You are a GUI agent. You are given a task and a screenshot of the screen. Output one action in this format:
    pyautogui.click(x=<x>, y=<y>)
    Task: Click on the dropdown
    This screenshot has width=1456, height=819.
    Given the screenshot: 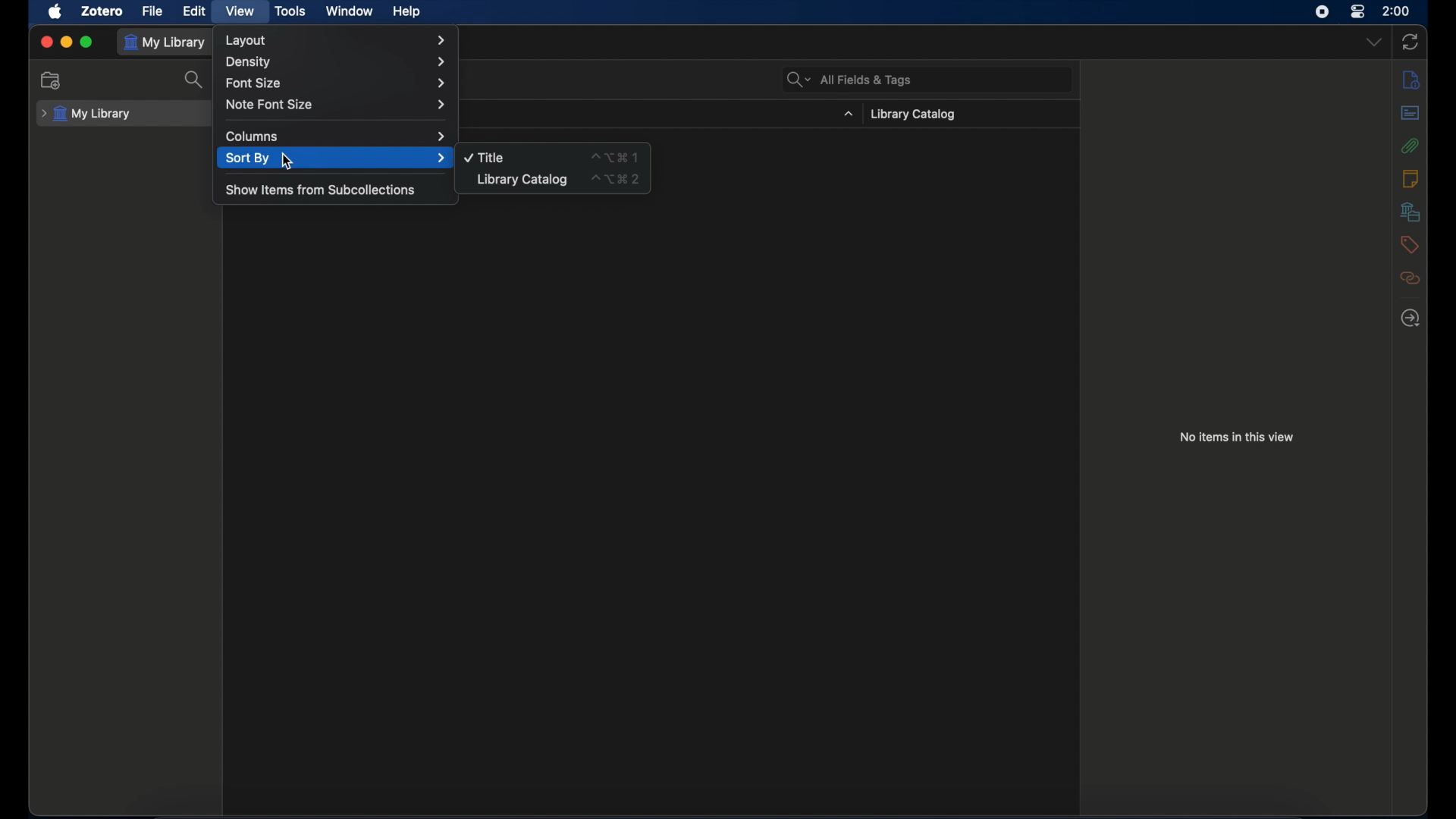 What is the action you would take?
    pyautogui.click(x=848, y=115)
    